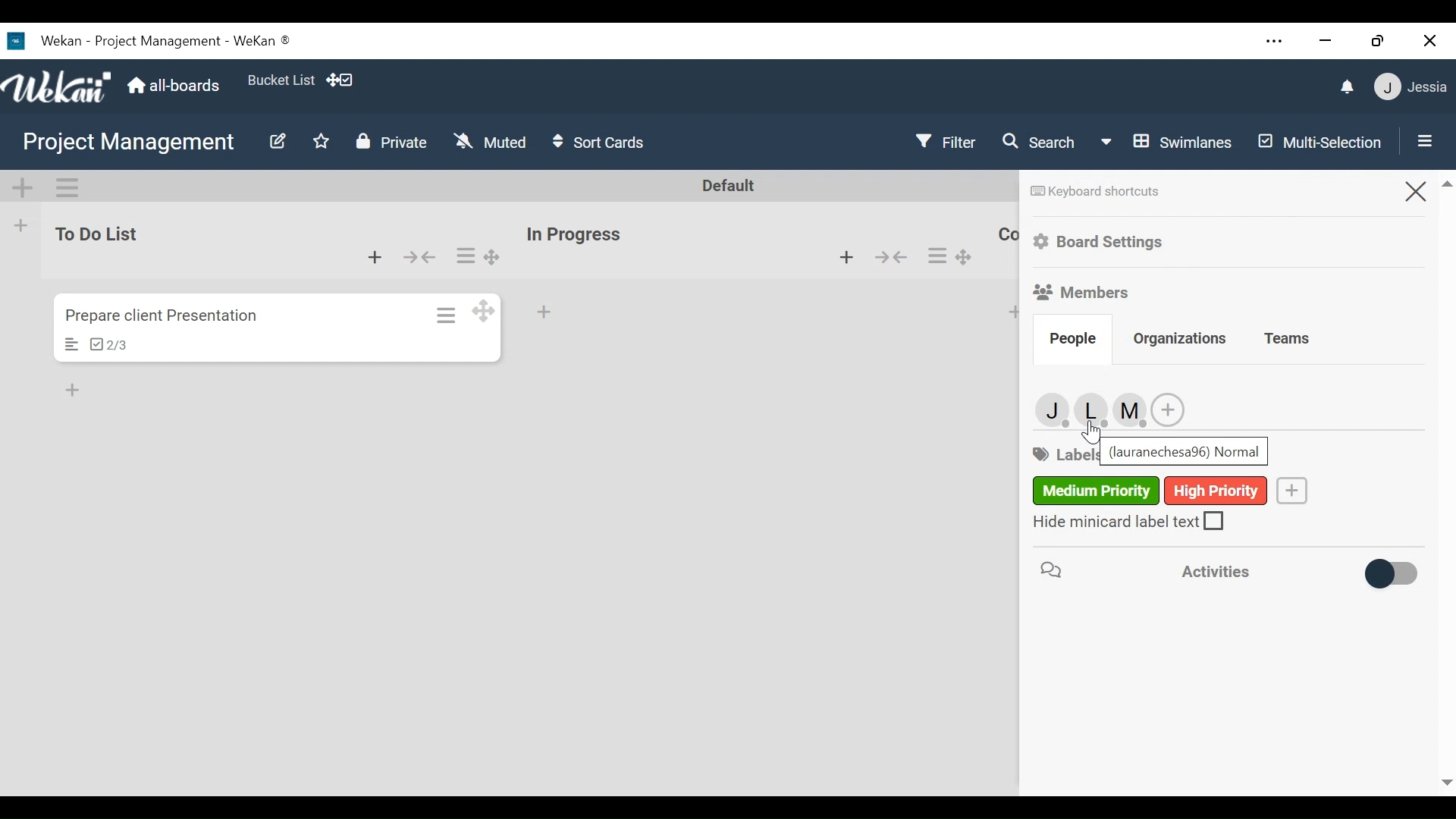 The height and width of the screenshot is (819, 1456). Describe the element at coordinates (1413, 86) in the screenshot. I see `Member` at that location.